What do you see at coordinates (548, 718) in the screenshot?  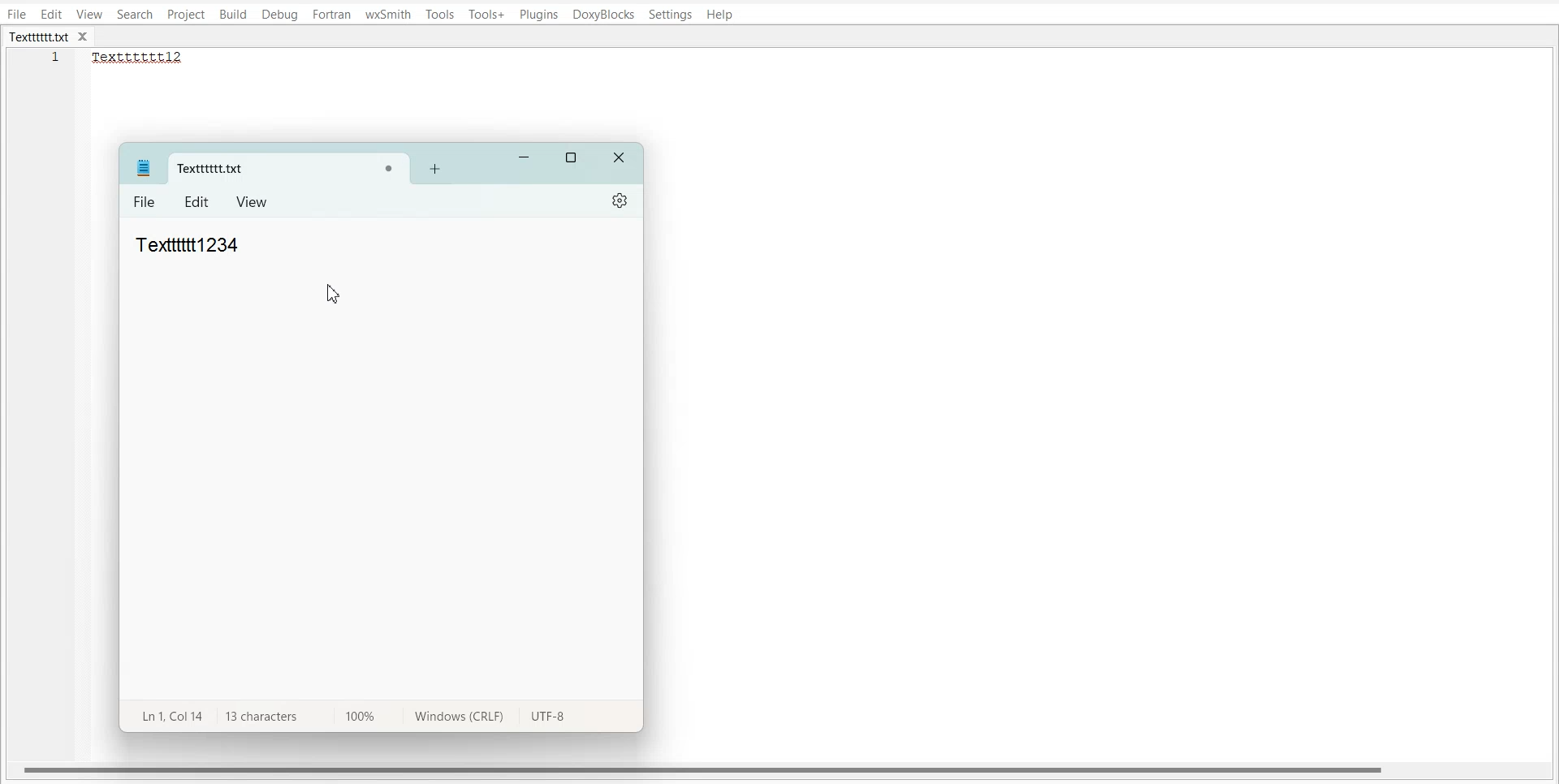 I see `UTF-8` at bounding box center [548, 718].